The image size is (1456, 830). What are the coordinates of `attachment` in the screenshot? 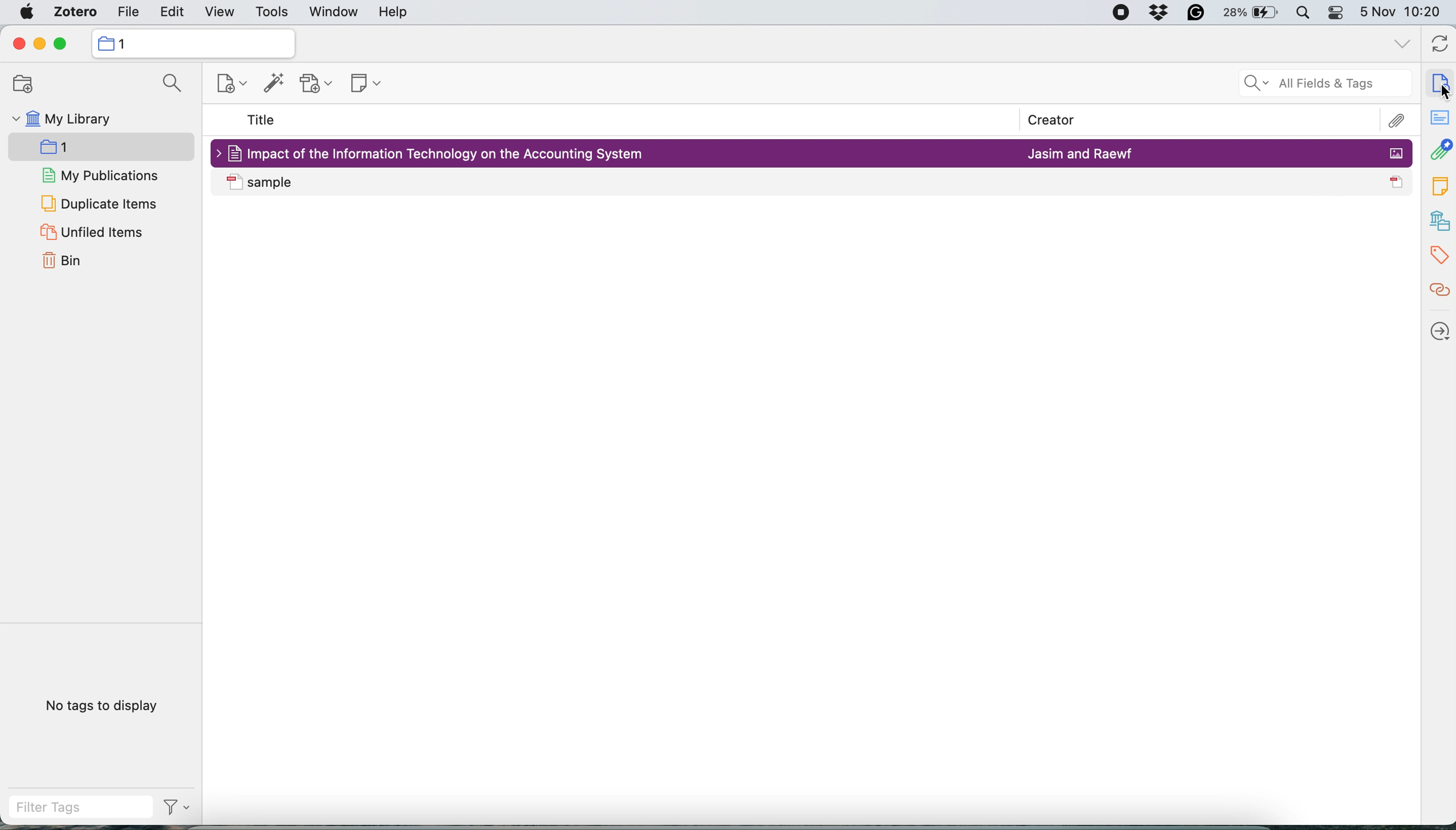 It's located at (1439, 150).